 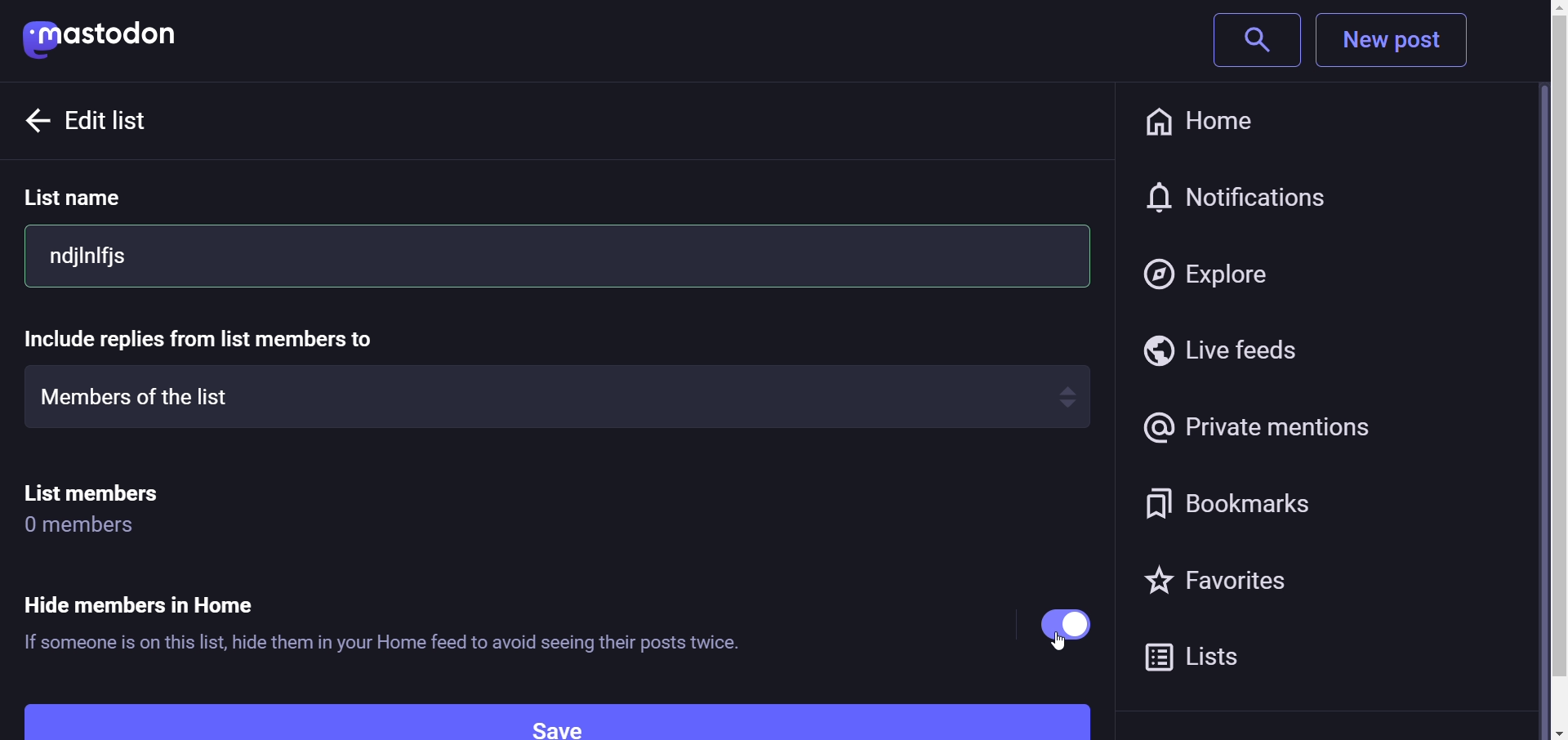 What do you see at coordinates (1544, 372) in the screenshot?
I see `Vertical Scroll Bar` at bounding box center [1544, 372].